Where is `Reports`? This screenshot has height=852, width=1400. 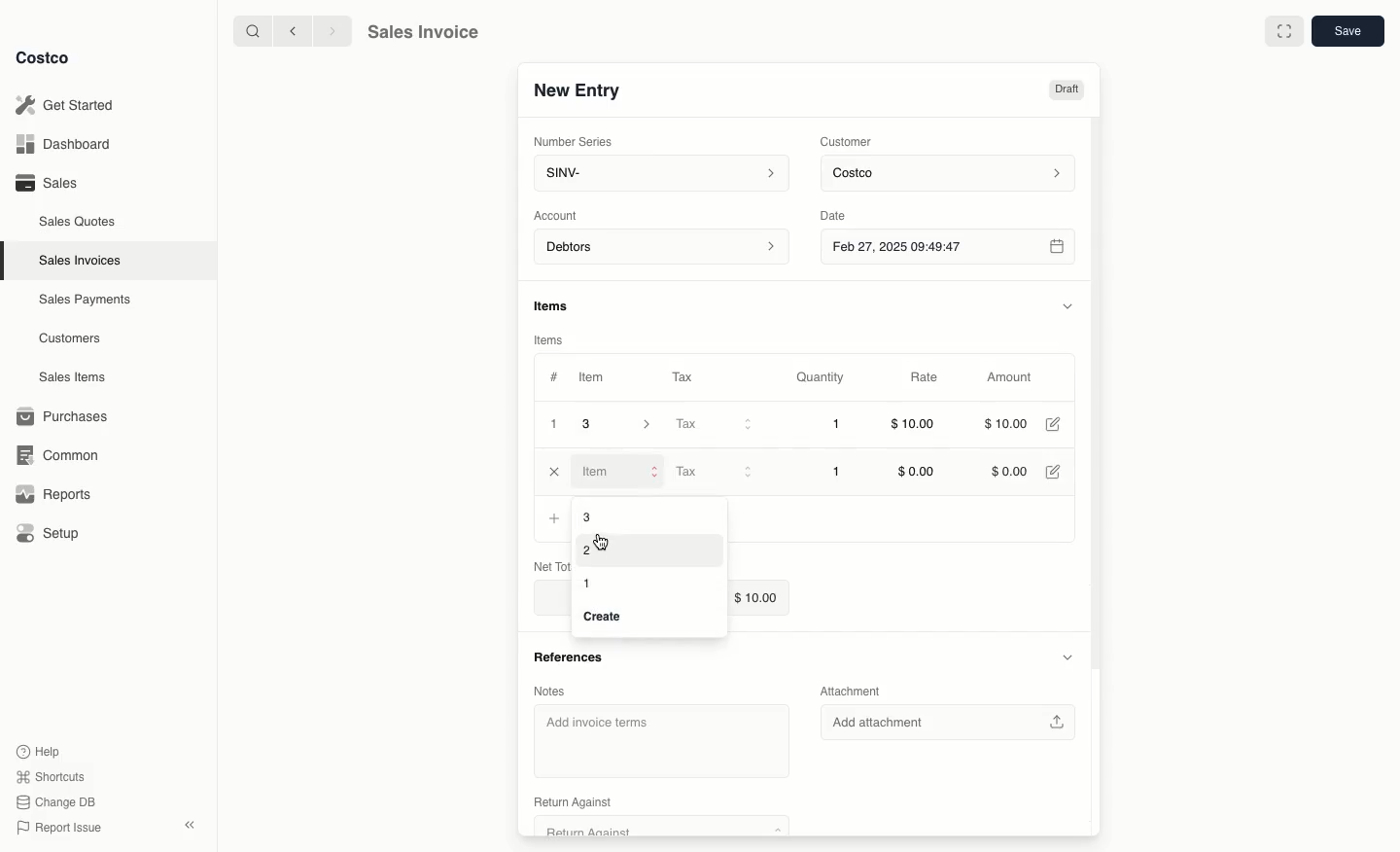 Reports is located at coordinates (51, 494).